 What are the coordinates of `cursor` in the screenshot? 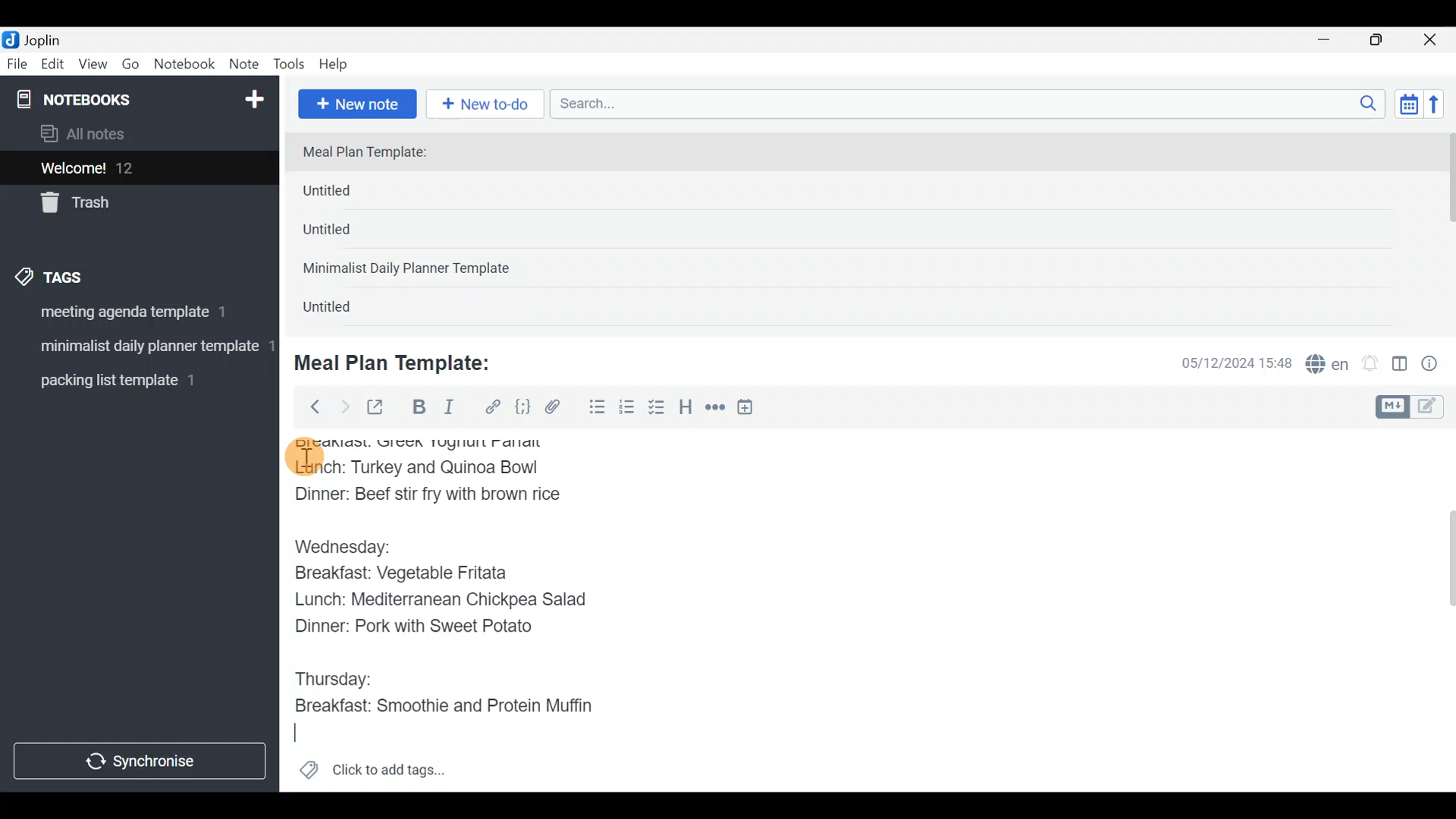 It's located at (303, 457).